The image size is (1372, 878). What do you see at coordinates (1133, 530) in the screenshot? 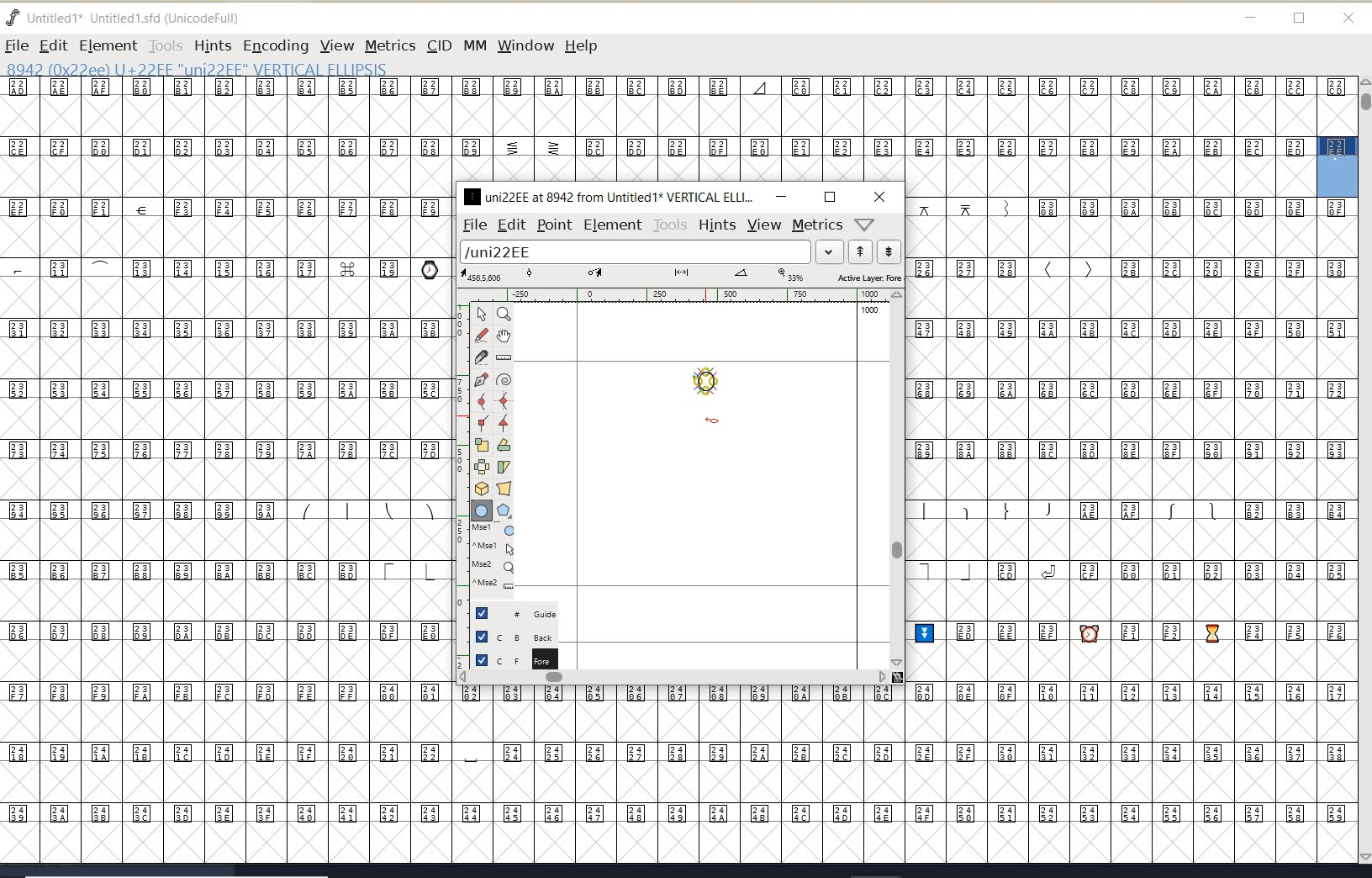
I see `GLYPHY CHARACTERS & NUMBERS` at bounding box center [1133, 530].